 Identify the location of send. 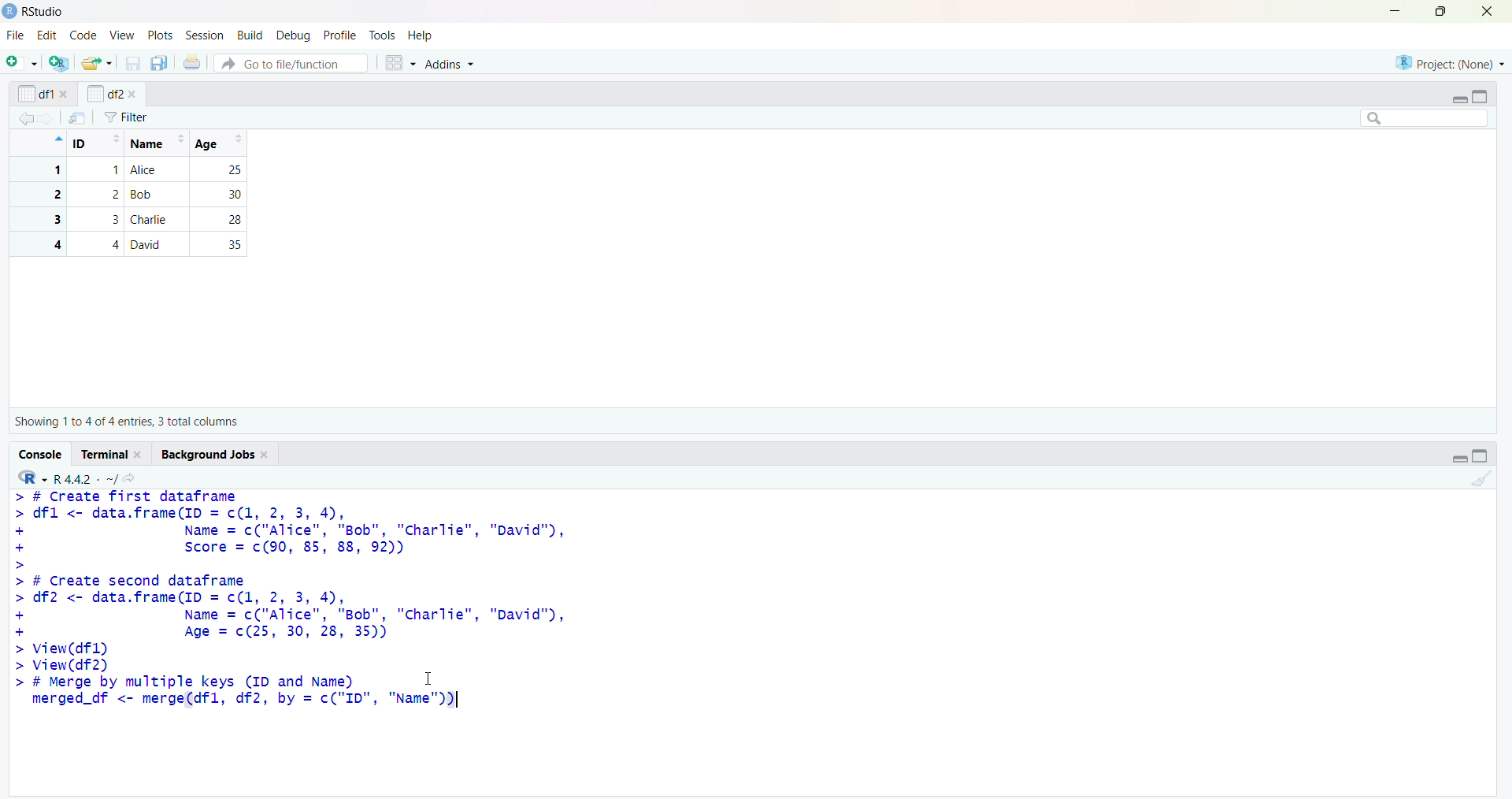
(78, 117).